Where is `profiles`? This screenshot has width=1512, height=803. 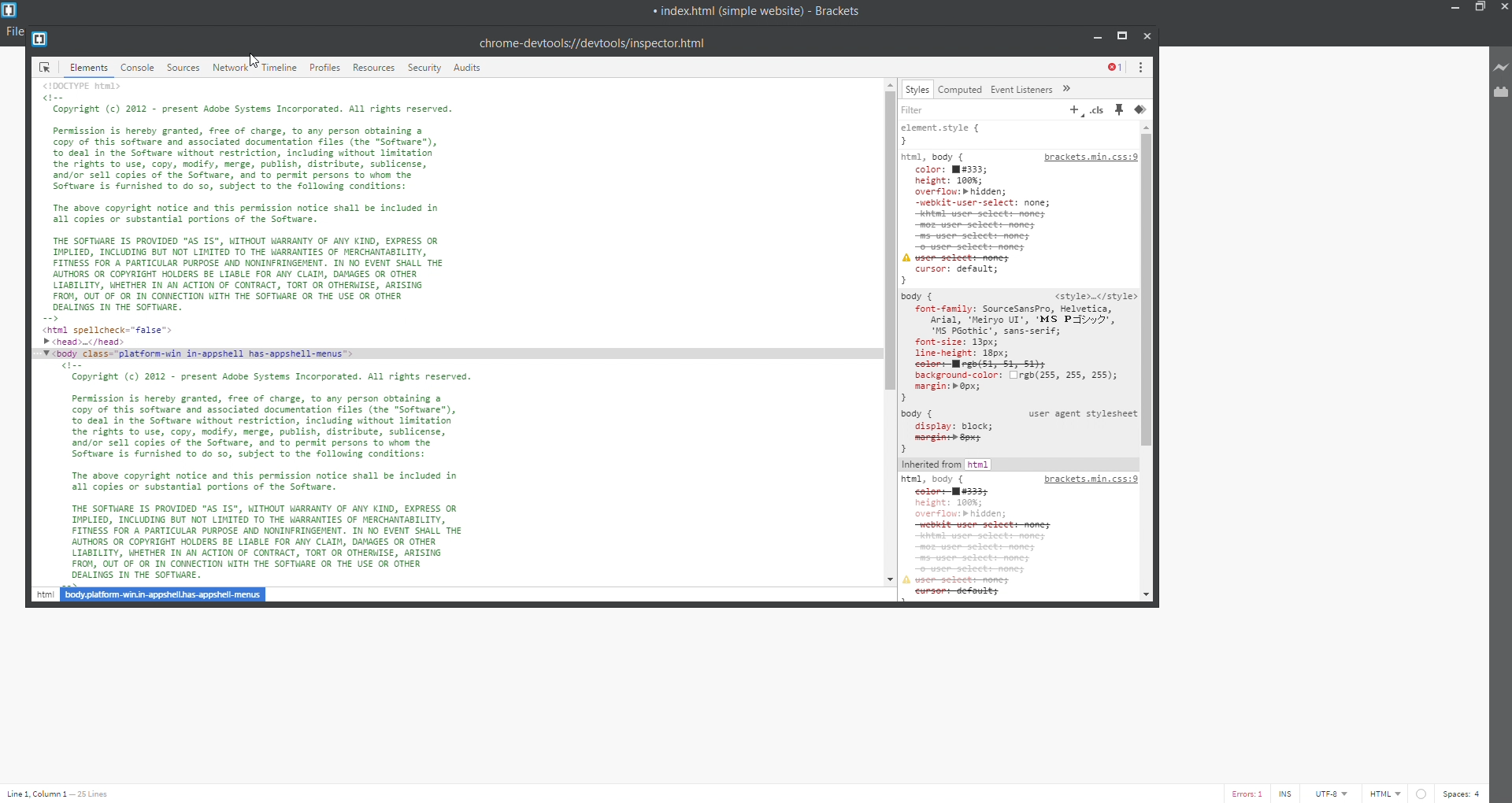
profiles is located at coordinates (323, 67).